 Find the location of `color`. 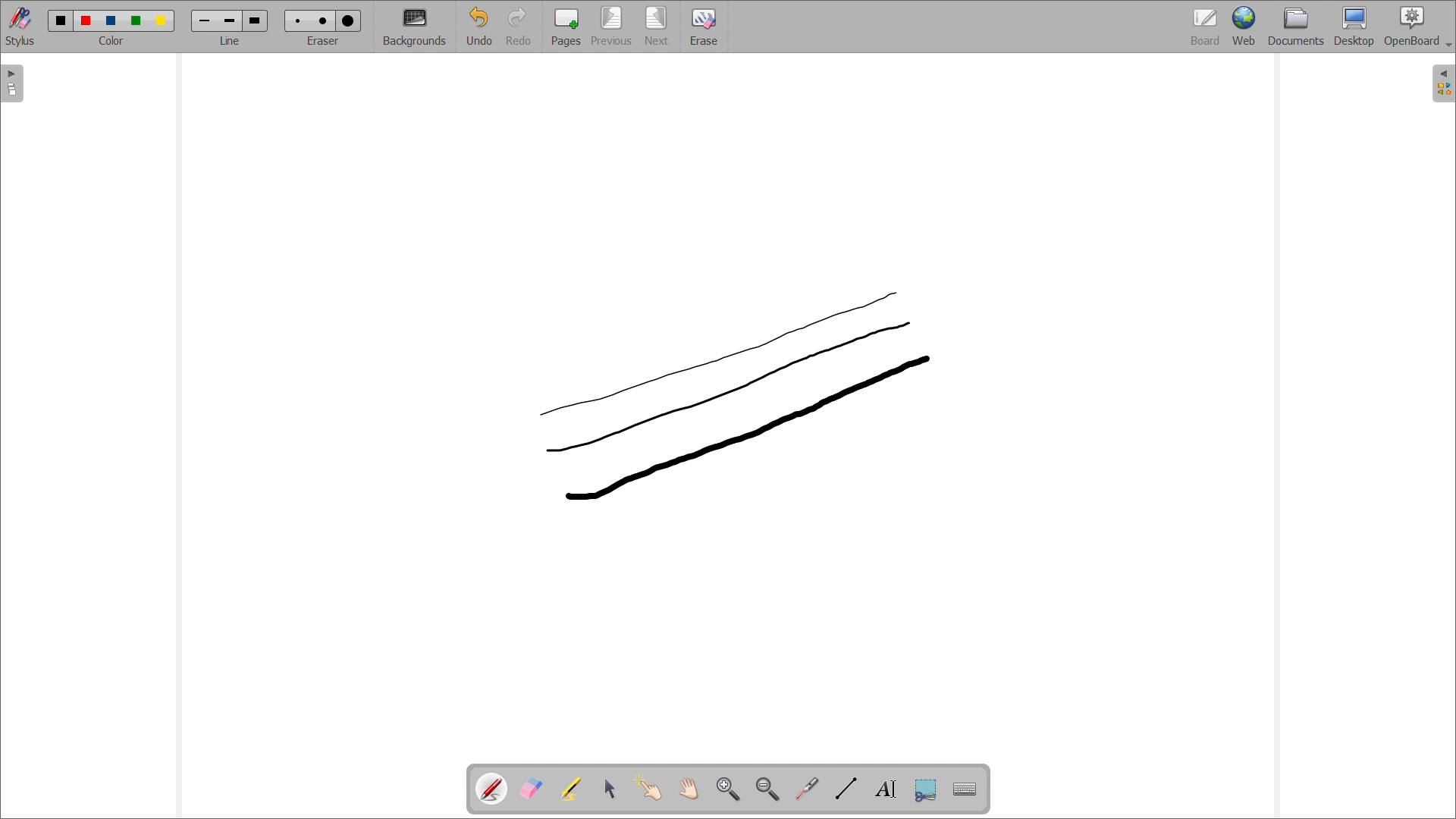

color is located at coordinates (138, 21).